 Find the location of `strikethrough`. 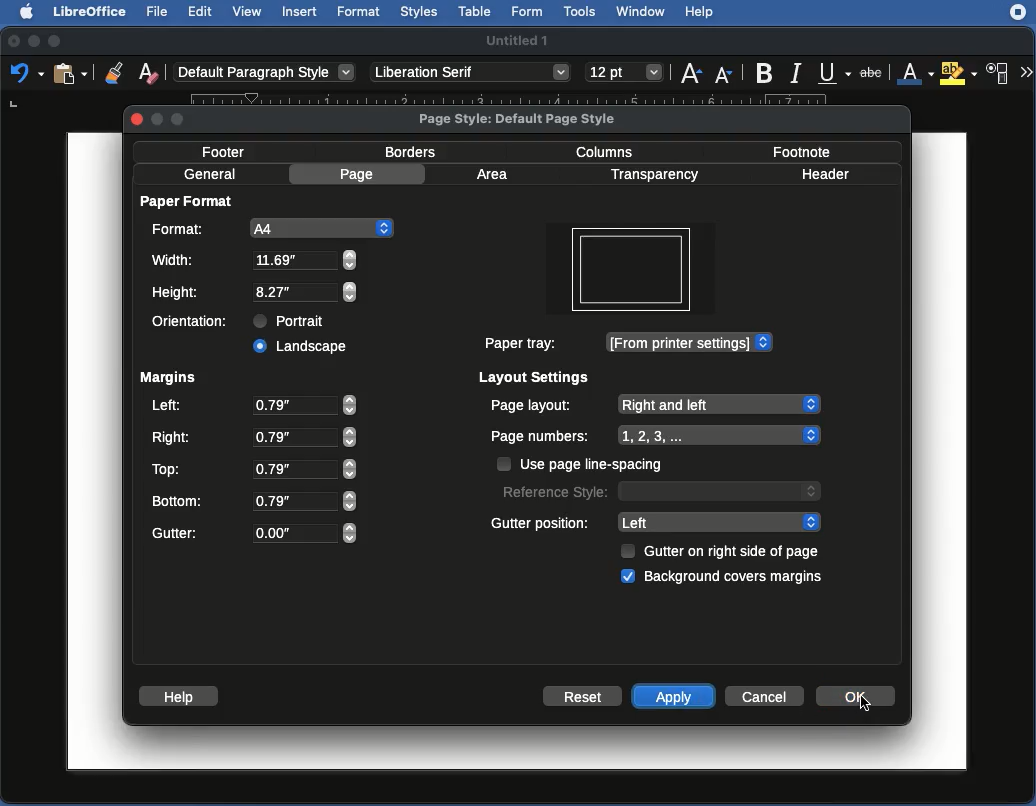

strikethrough is located at coordinates (871, 70).